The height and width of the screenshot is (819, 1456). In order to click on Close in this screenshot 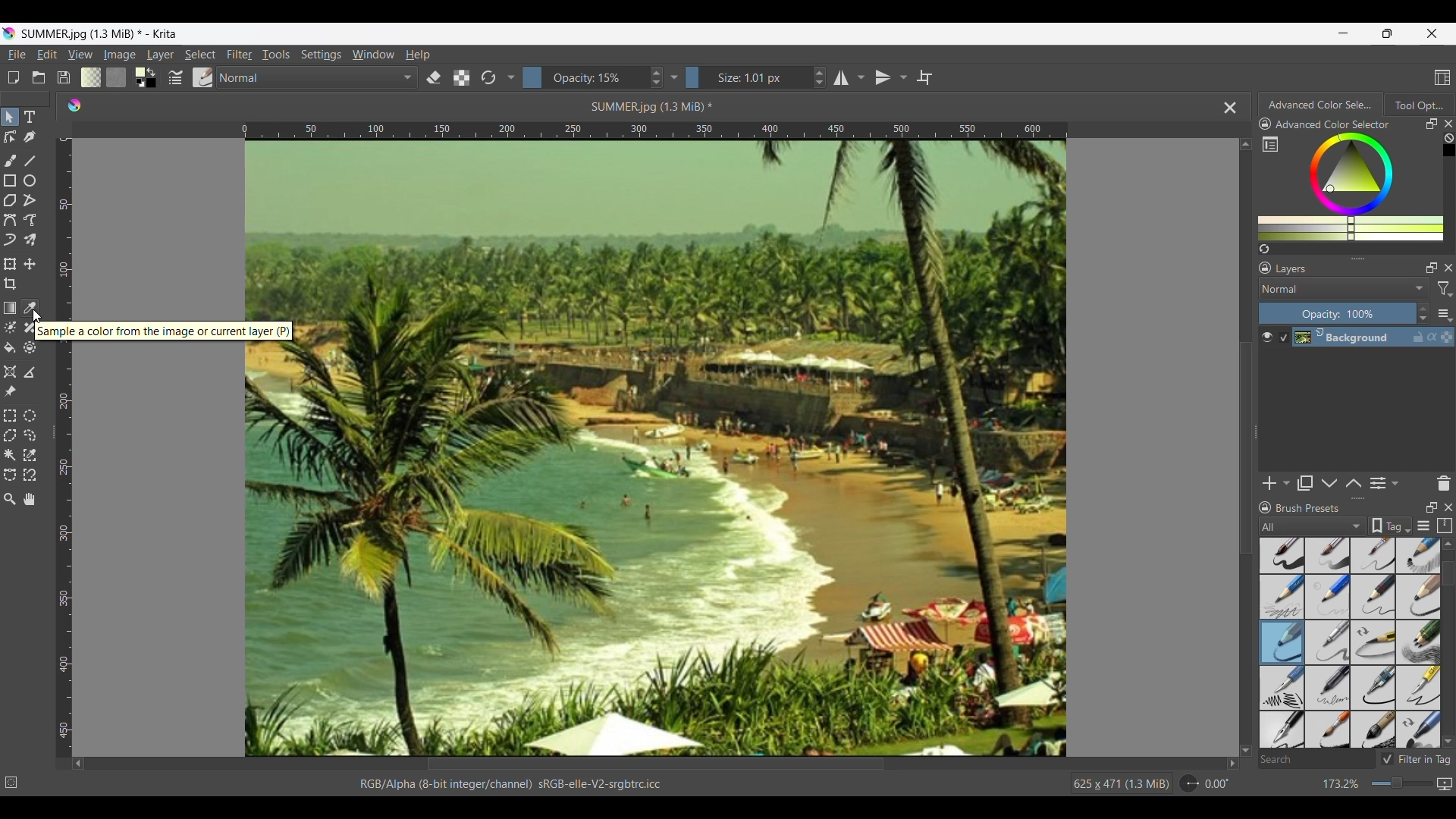, I will do `click(1449, 507)`.